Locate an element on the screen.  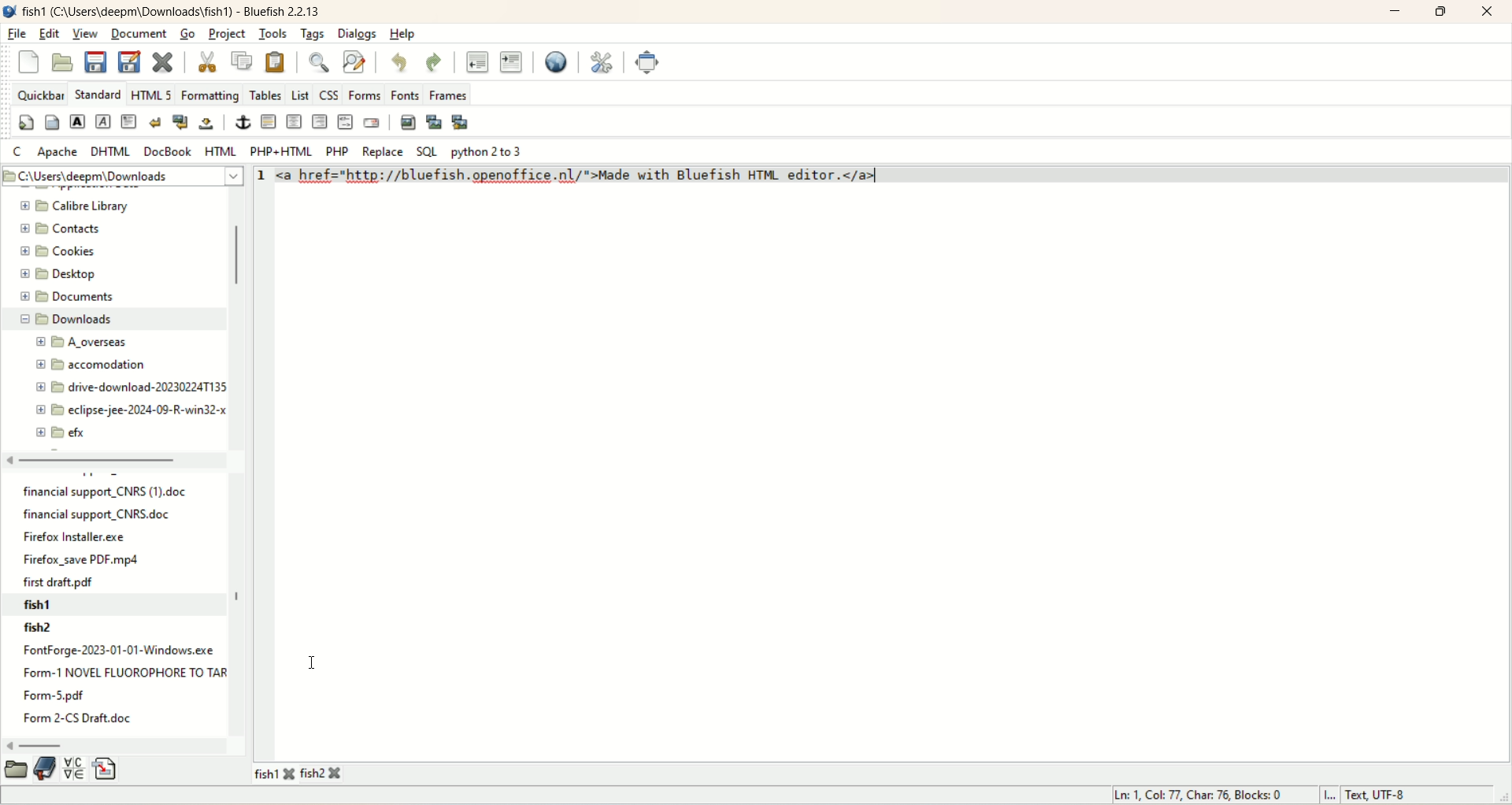
HTML 5 is located at coordinates (151, 95).